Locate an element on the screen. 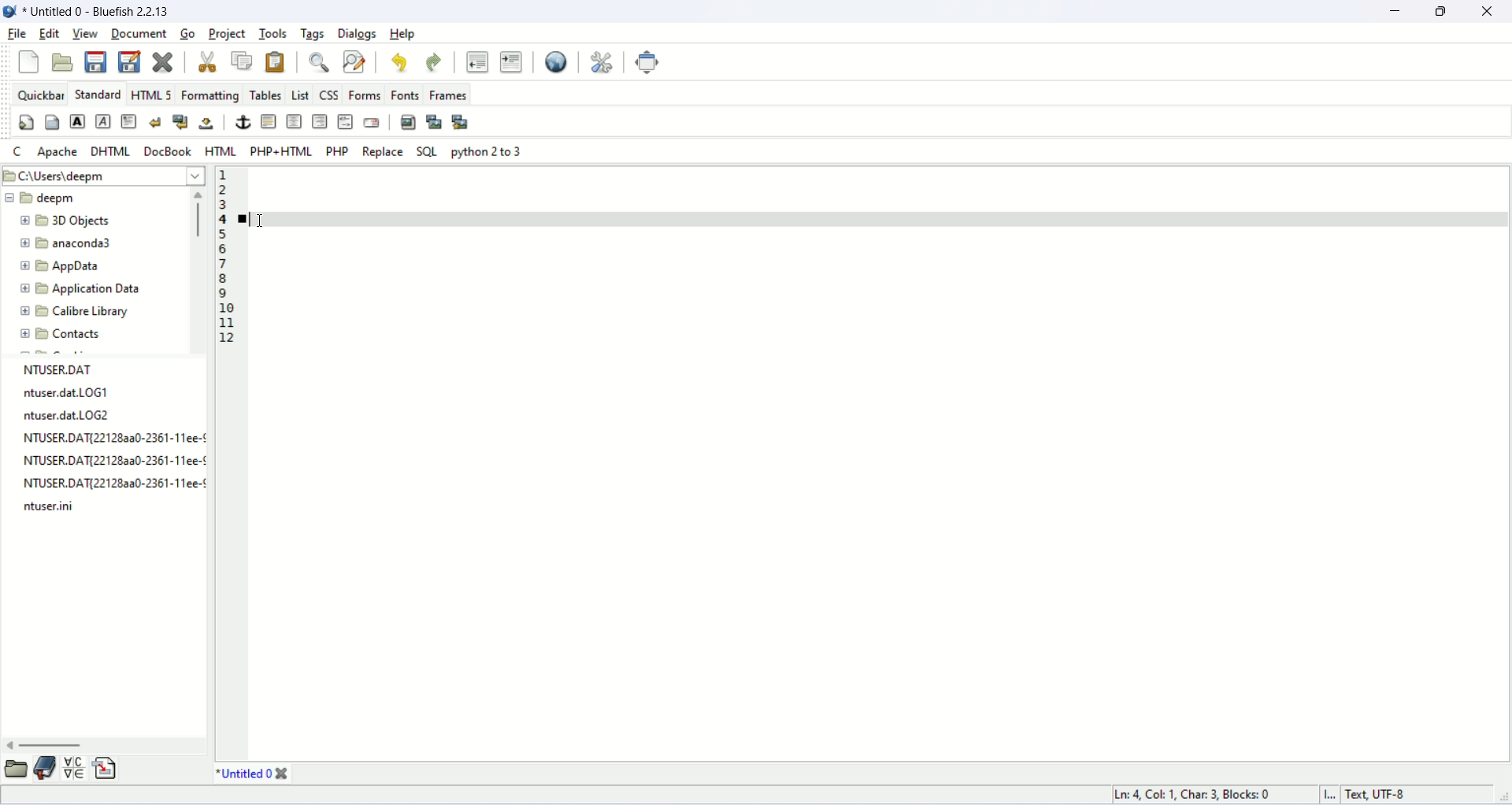 This screenshot has height=805, width=1512. DOCBOOK is located at coordinates (169, 151).